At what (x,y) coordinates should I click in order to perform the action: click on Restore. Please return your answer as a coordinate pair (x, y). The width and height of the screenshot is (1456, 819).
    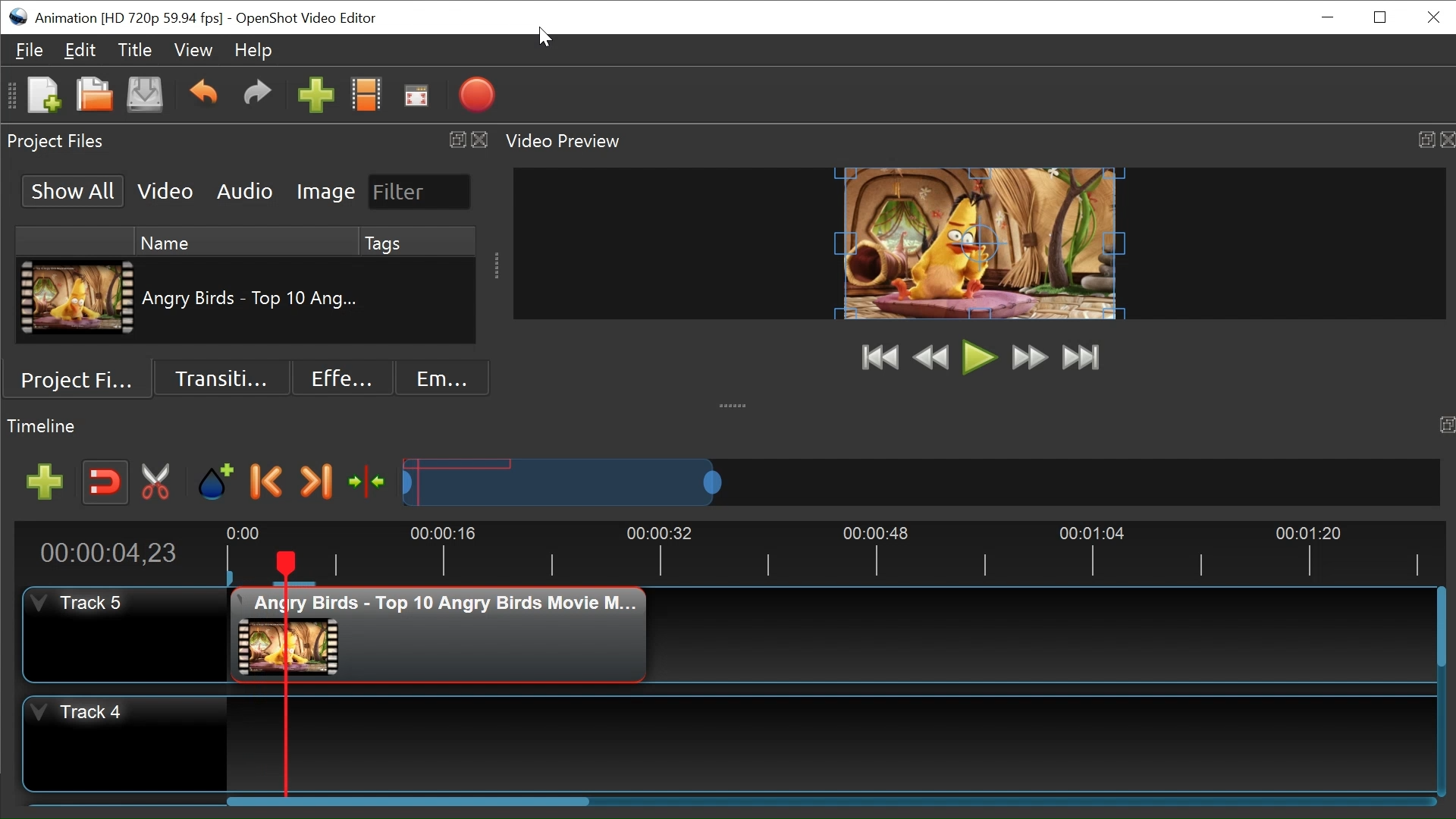
    Looking at the image, I should click on (1382, 17).